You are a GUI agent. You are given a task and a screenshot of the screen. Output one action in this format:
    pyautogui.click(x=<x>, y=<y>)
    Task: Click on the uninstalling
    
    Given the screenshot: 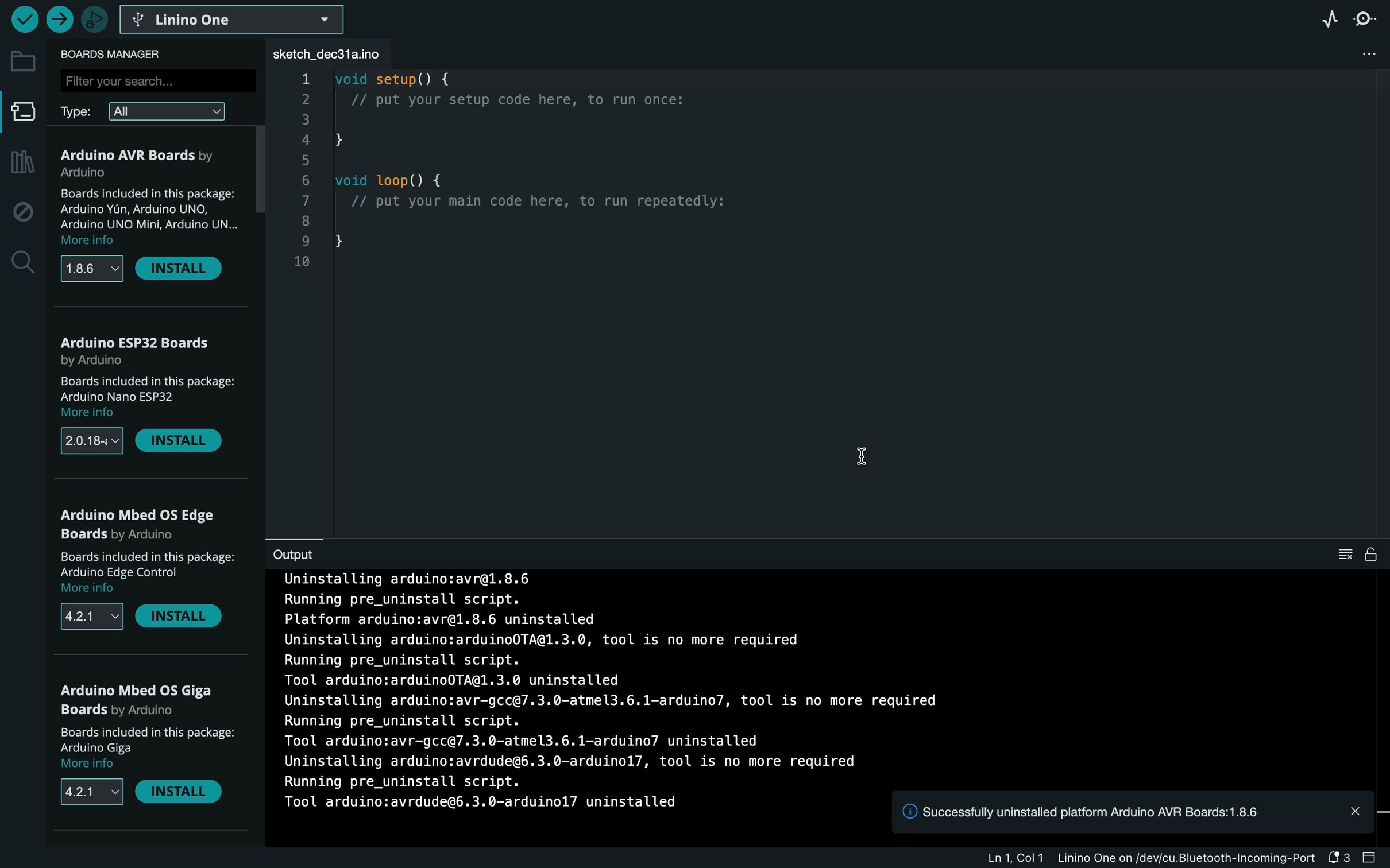 What is the action you would take?
    pyautogui.click(x=613, y=682)
    